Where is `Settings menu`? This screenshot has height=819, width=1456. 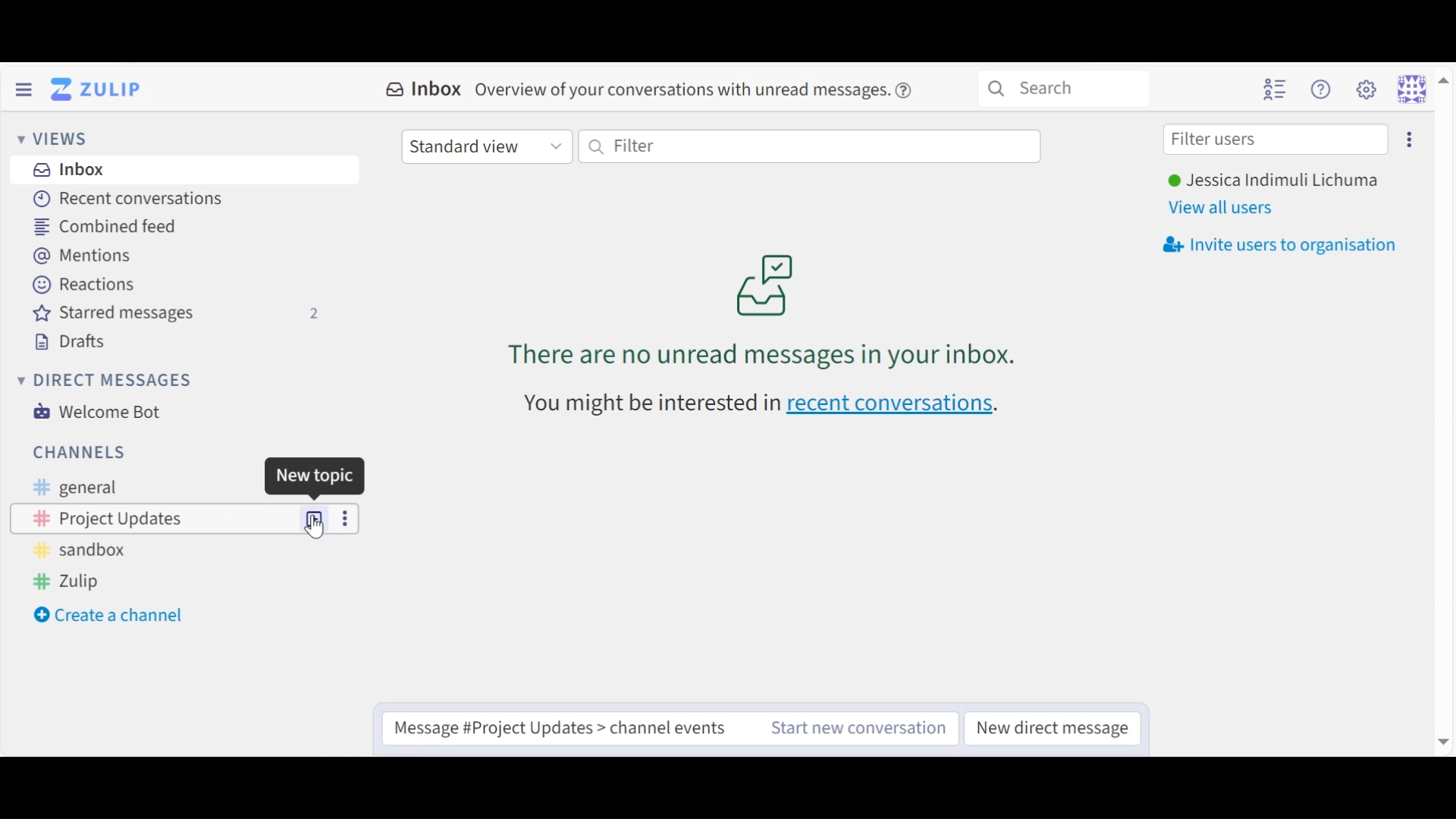 Settings menu is located at coordinates (1366, 88).